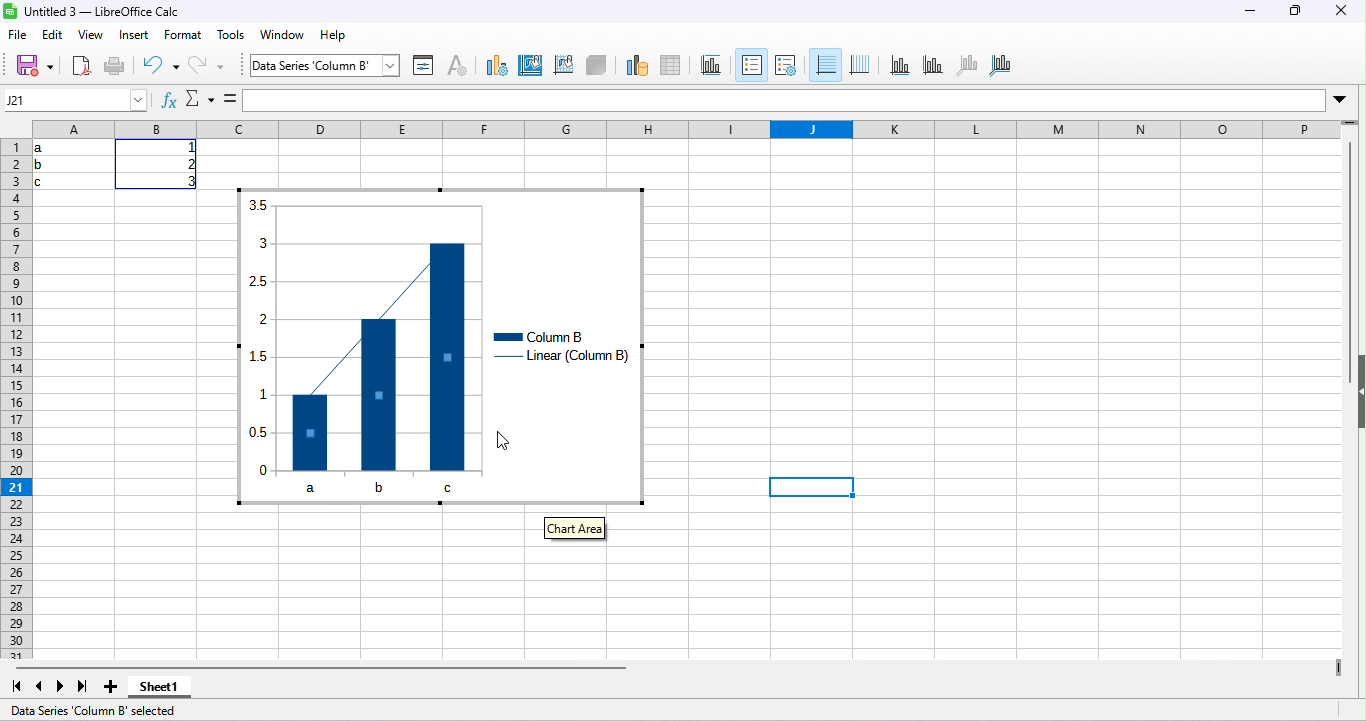 Image resolution: width=1366 pixels, height=722 pixels. What do you see at coordinates (462, 490) in the screenshot?
I see `c` at bounding box center [462, 490].